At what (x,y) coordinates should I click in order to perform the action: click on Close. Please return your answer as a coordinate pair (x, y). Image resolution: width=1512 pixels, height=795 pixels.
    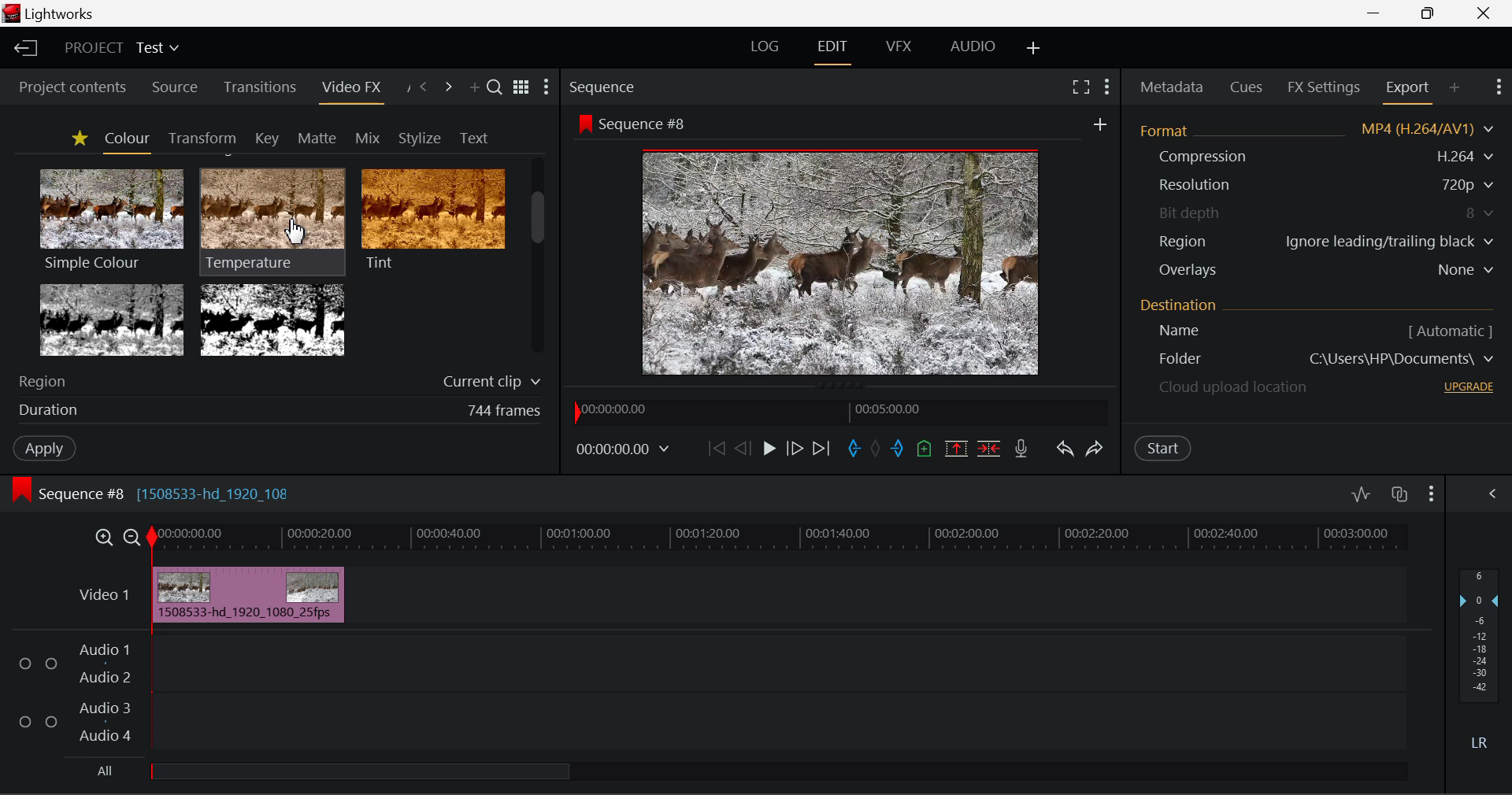
    Looking at the image, I should click on (1484, 12).